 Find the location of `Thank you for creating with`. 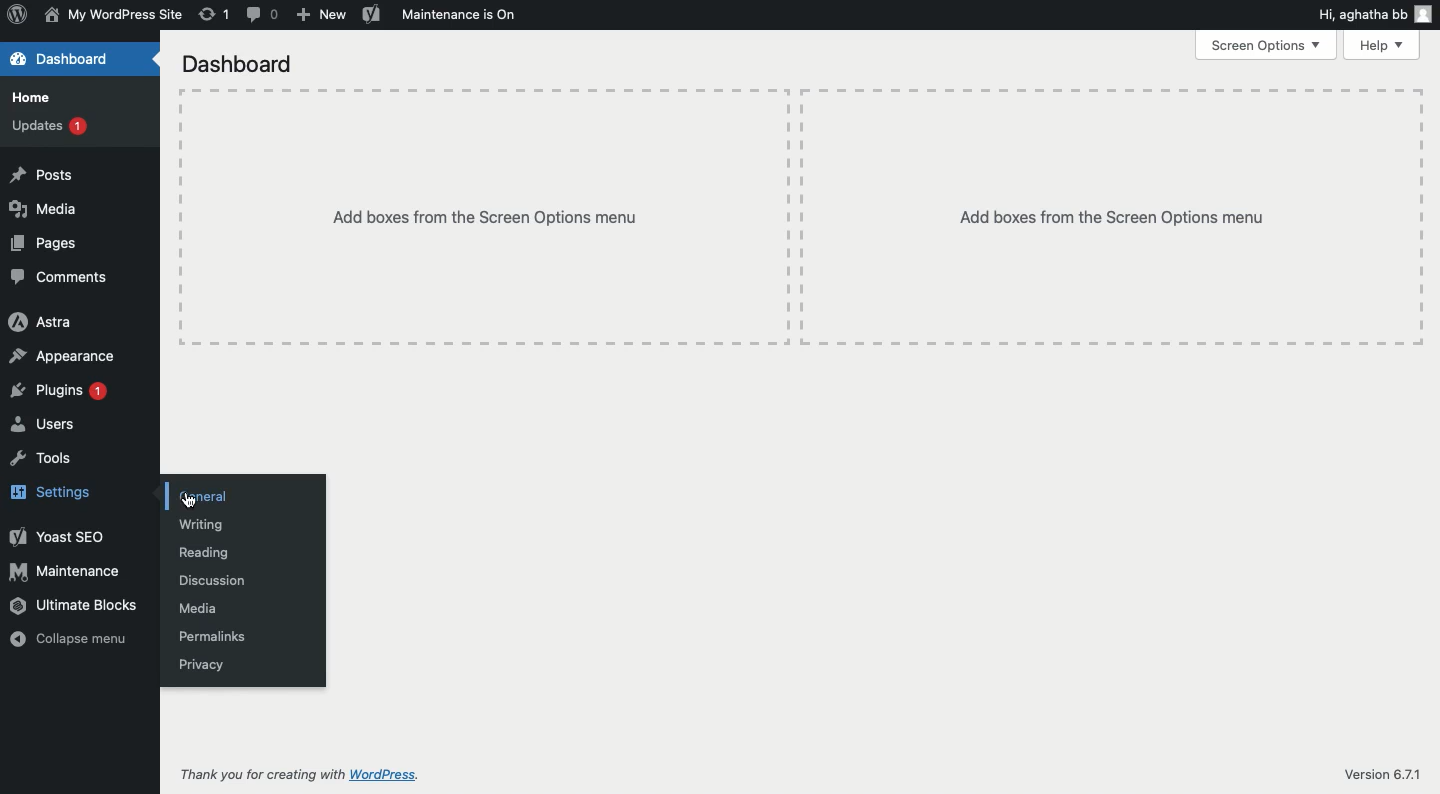

Thank you for creating with is located at coordinates (262, 775).